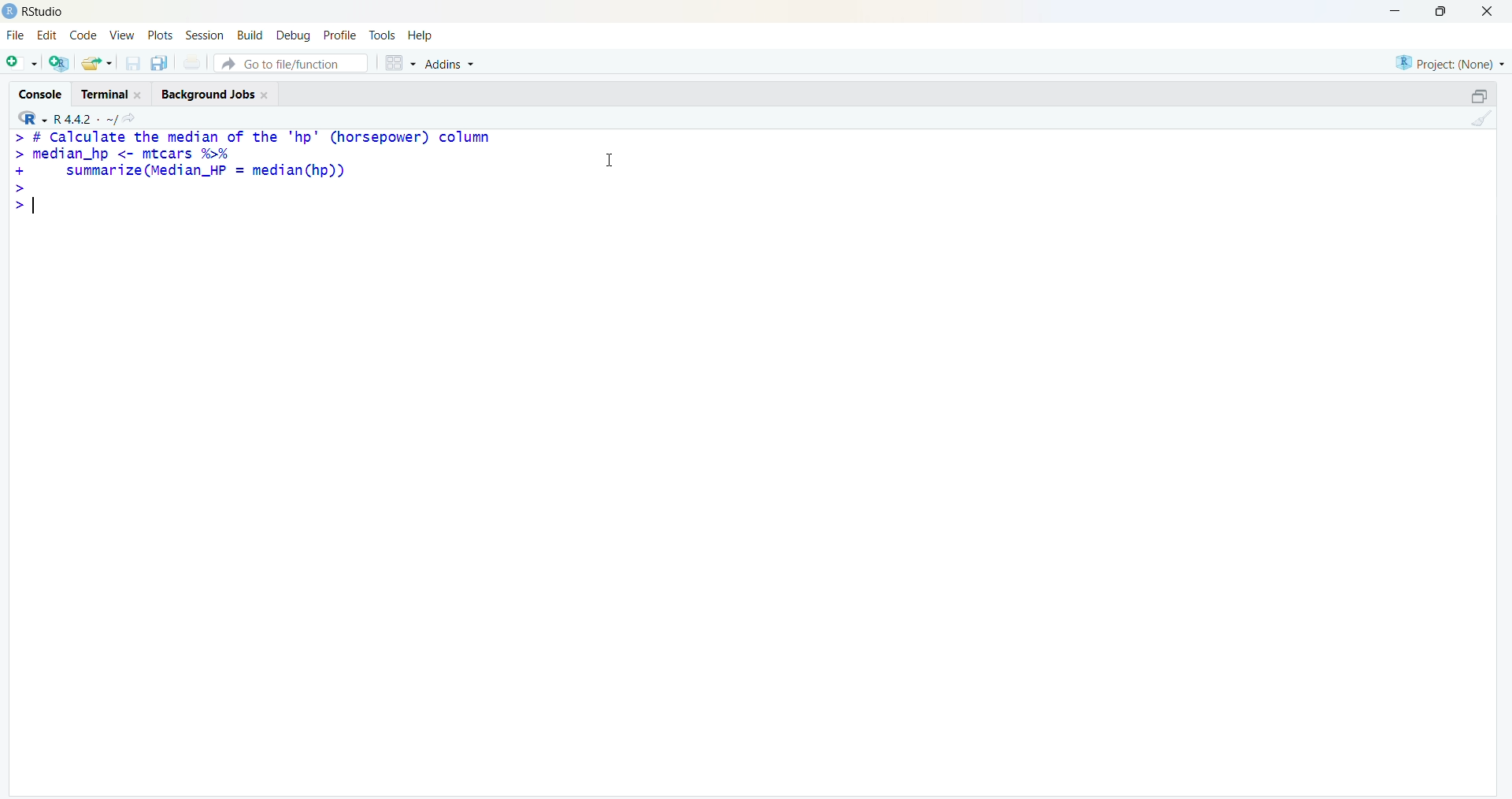 The height and width of the screenshot is (799, 1512). Describe the element at coordinates (422, 36) in the screenshot. I see `help` at that location.